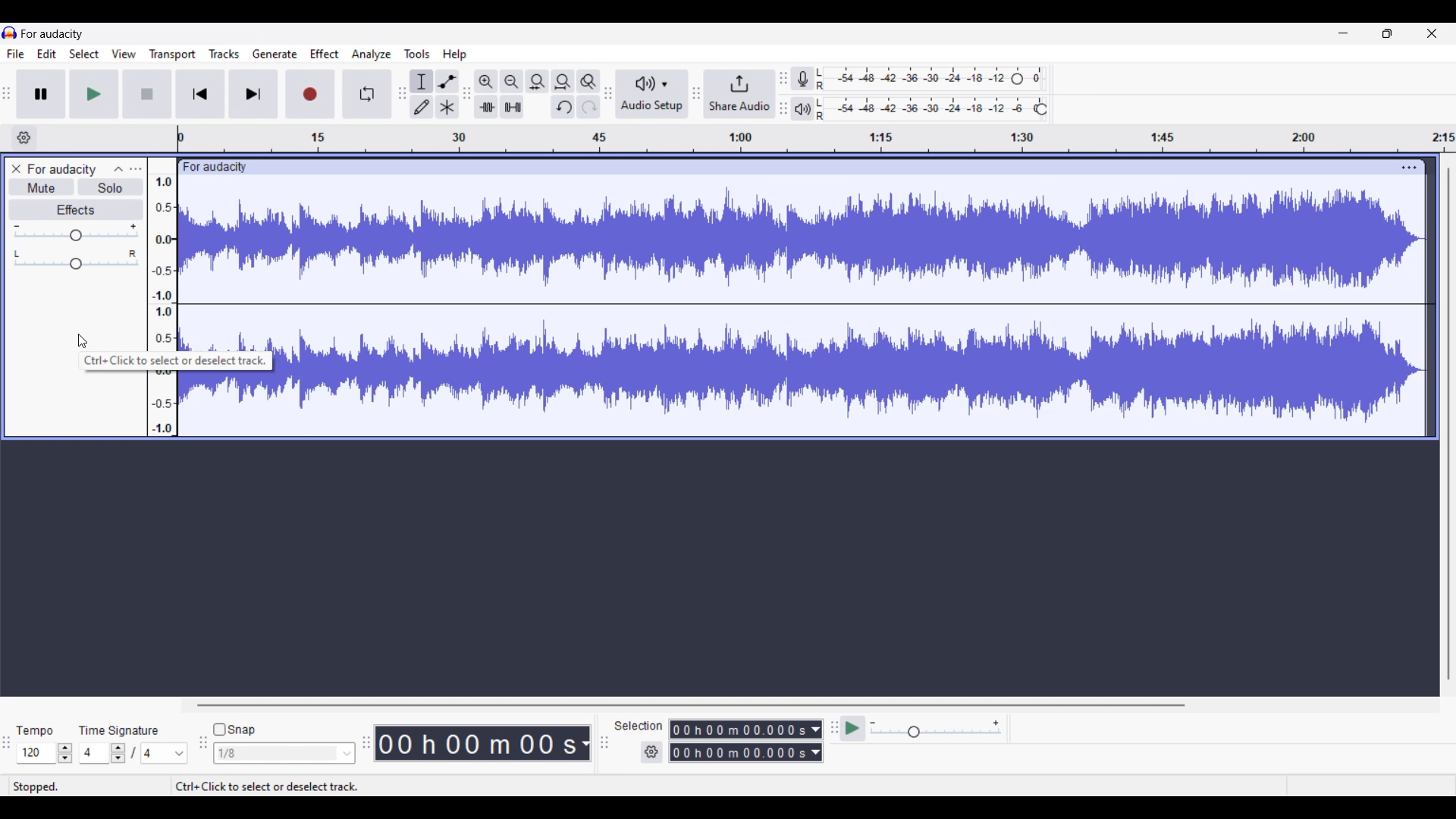  I want to click on Tracks menu, so click(224, 54).